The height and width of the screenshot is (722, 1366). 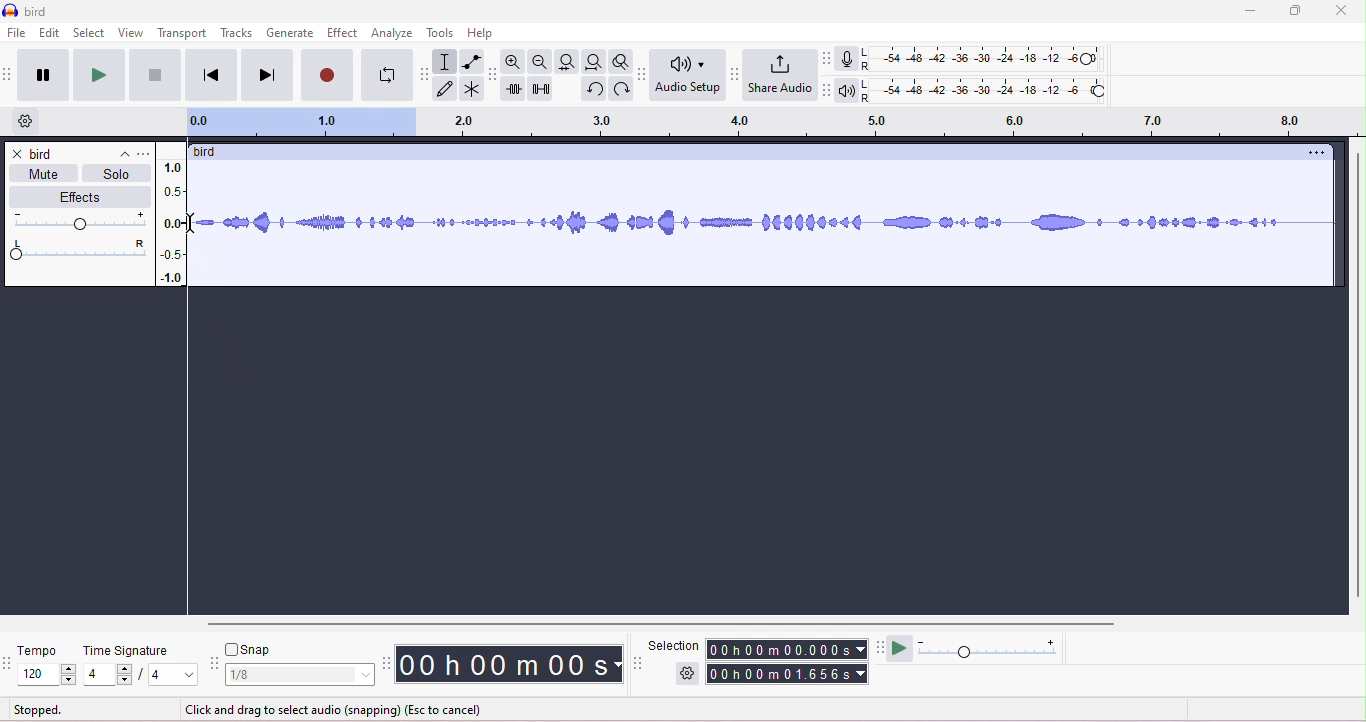 What do you see at coordinates (855, 59) in the screenshot?
I see `record meter` at bounding box center [855, 59].